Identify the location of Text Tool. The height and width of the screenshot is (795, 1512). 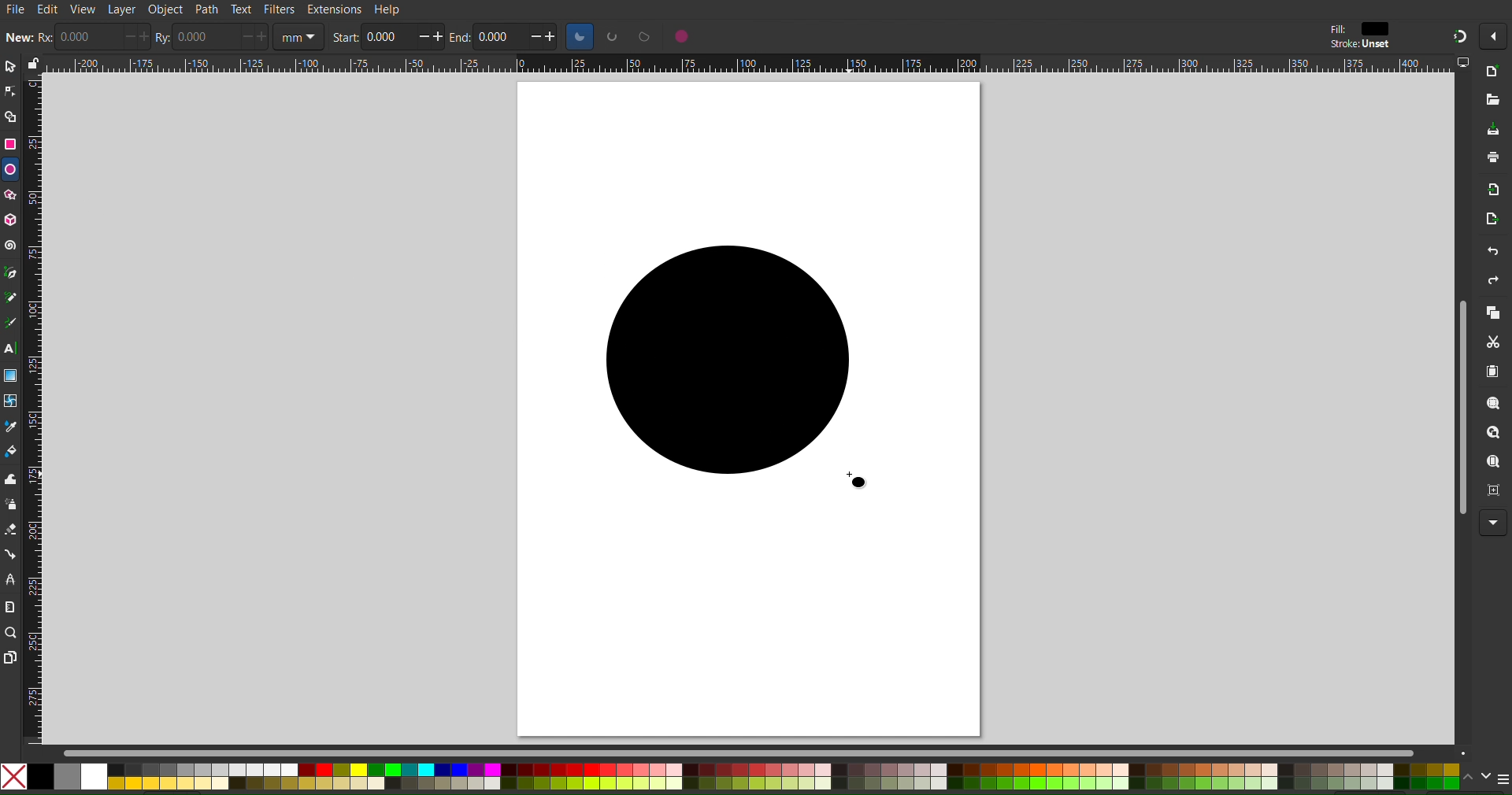
(11, 347).